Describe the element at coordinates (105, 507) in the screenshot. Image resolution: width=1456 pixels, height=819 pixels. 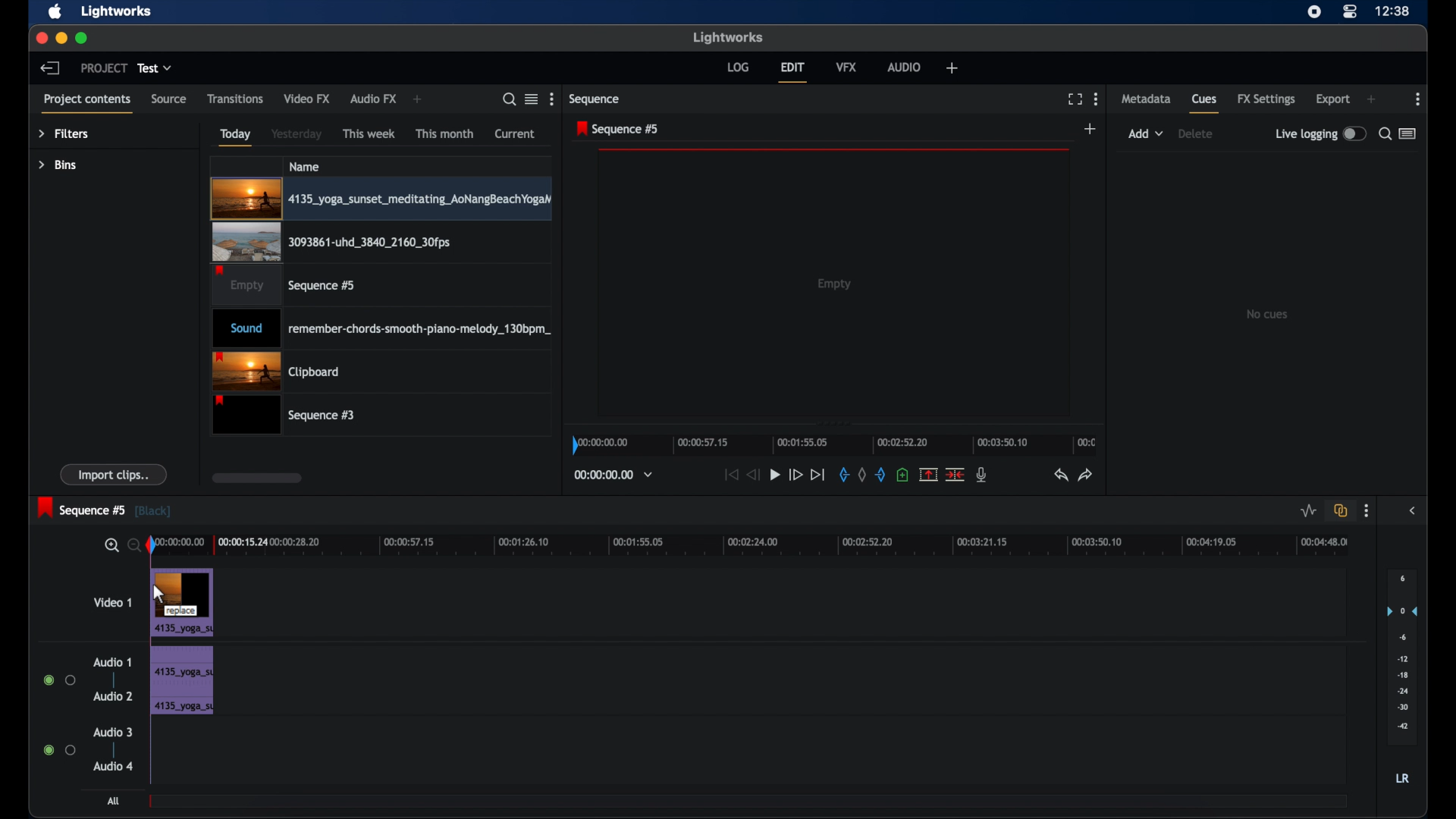
I see `sequence` at that location.